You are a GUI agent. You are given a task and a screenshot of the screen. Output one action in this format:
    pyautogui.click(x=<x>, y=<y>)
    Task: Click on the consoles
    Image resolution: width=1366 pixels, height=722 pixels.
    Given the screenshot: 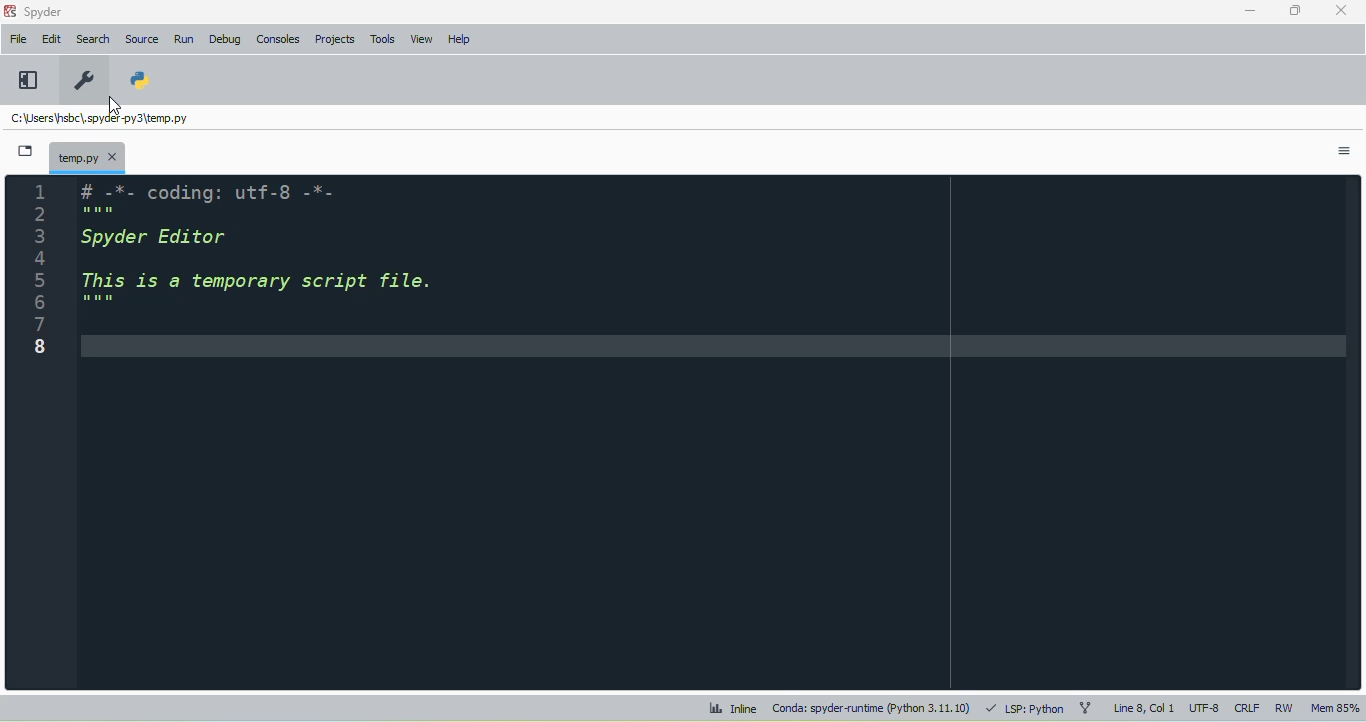 What is the action you would take?
    pyautogui.click(x=279, y=39)
    